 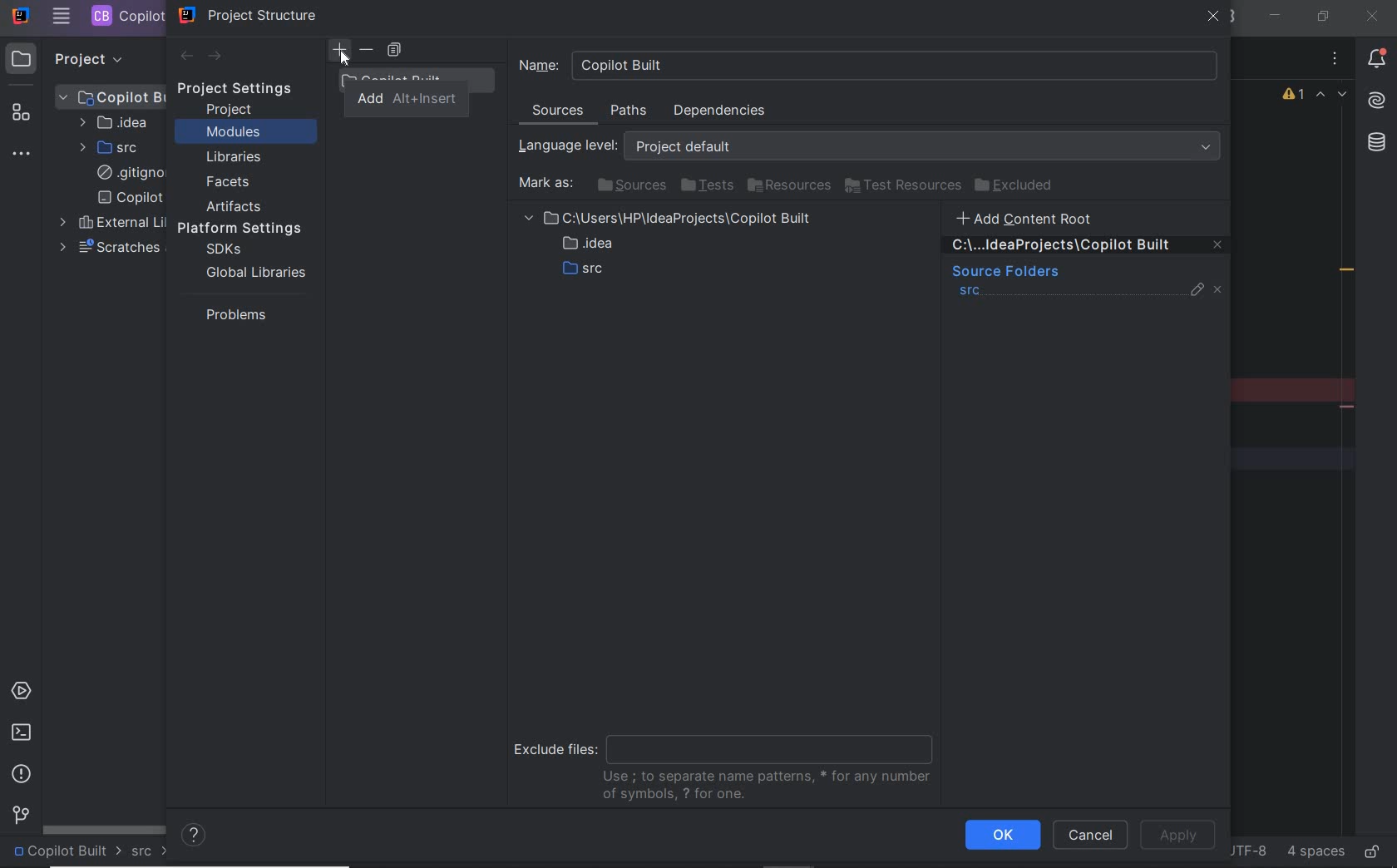 I want to click on edit properties, so click(x=1198, y=293).